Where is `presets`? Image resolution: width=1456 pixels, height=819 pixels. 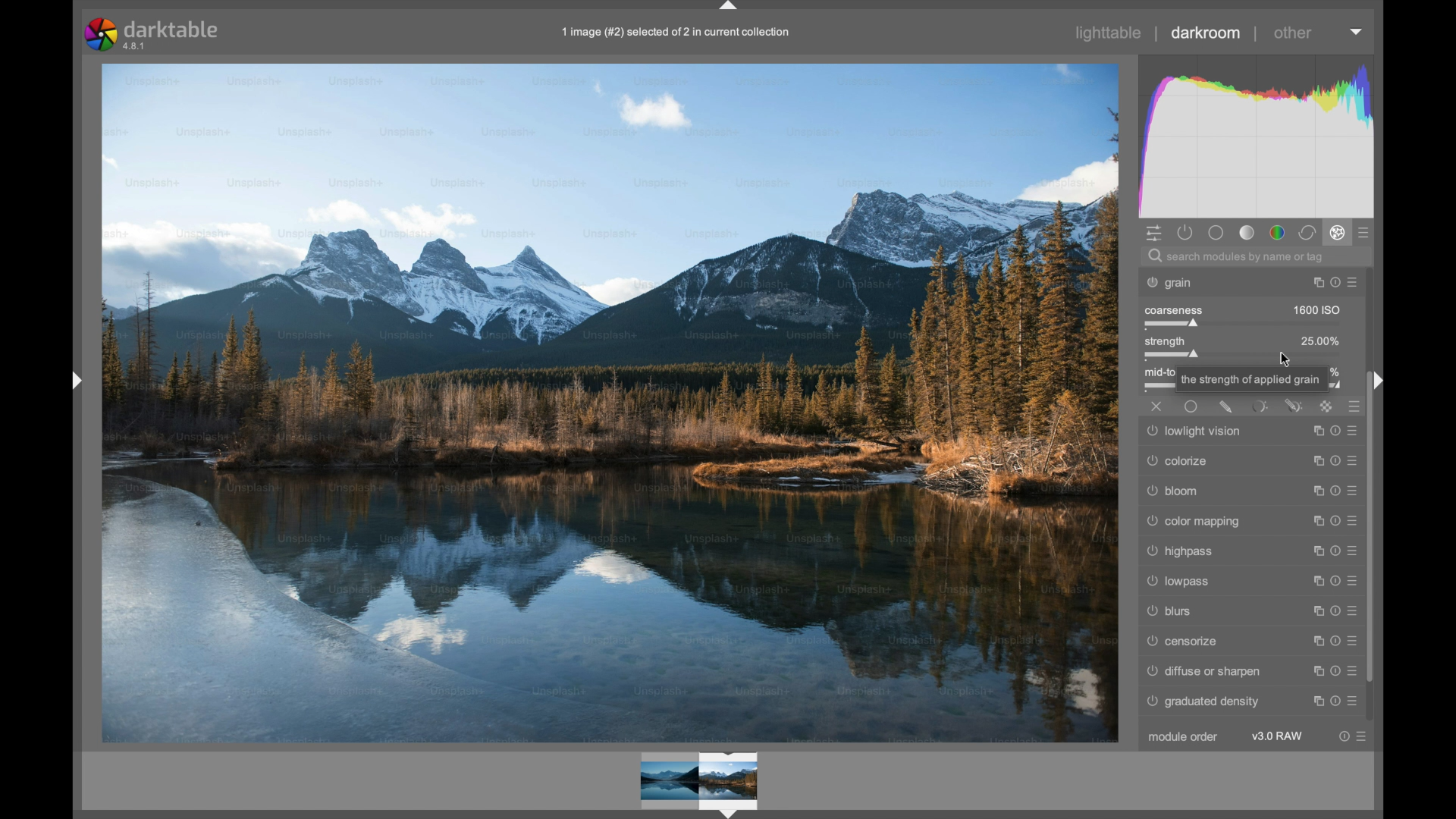 presets is located at coordinates (1357, 611).